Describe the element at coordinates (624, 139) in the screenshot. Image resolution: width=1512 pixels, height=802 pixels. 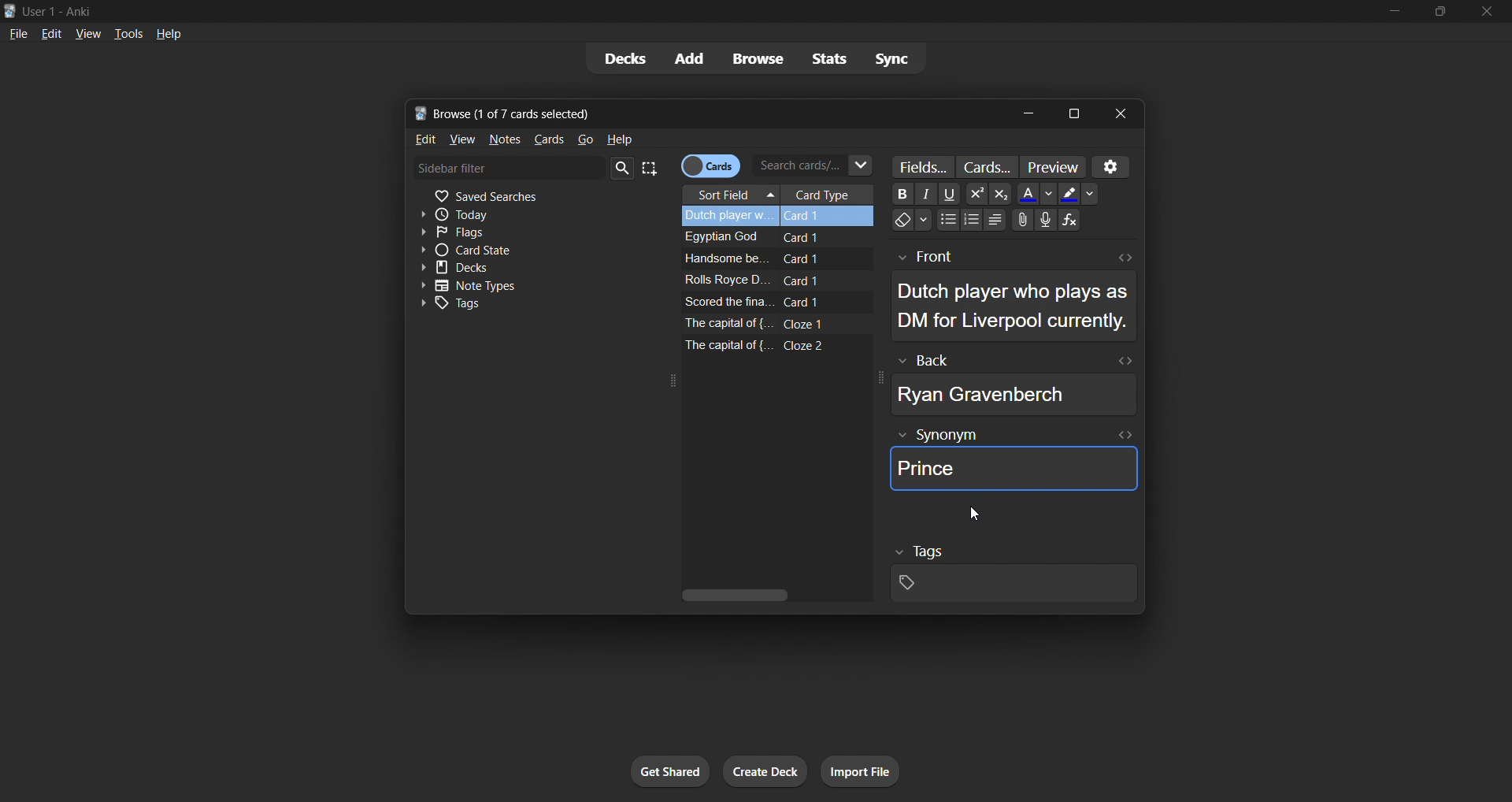
I see `help` at that location.